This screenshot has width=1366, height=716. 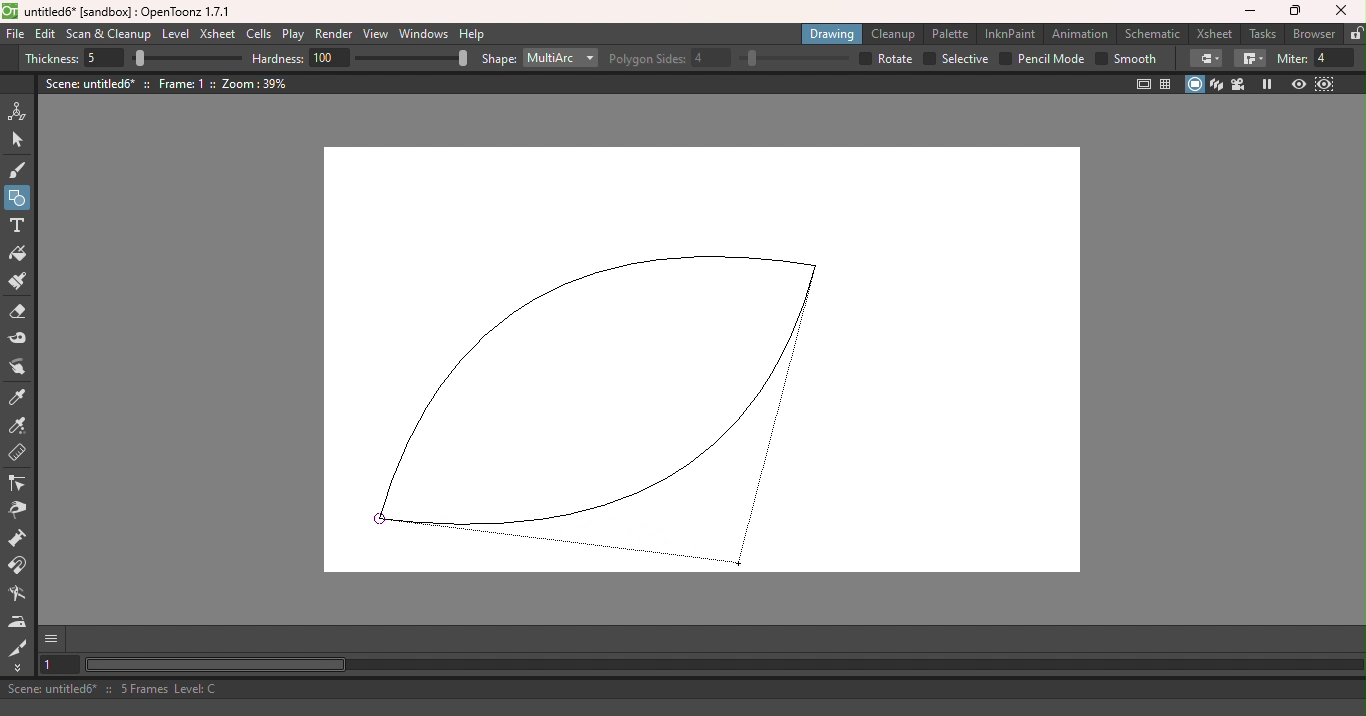 I want to click on Iron tool, so click(x=18, y=623).